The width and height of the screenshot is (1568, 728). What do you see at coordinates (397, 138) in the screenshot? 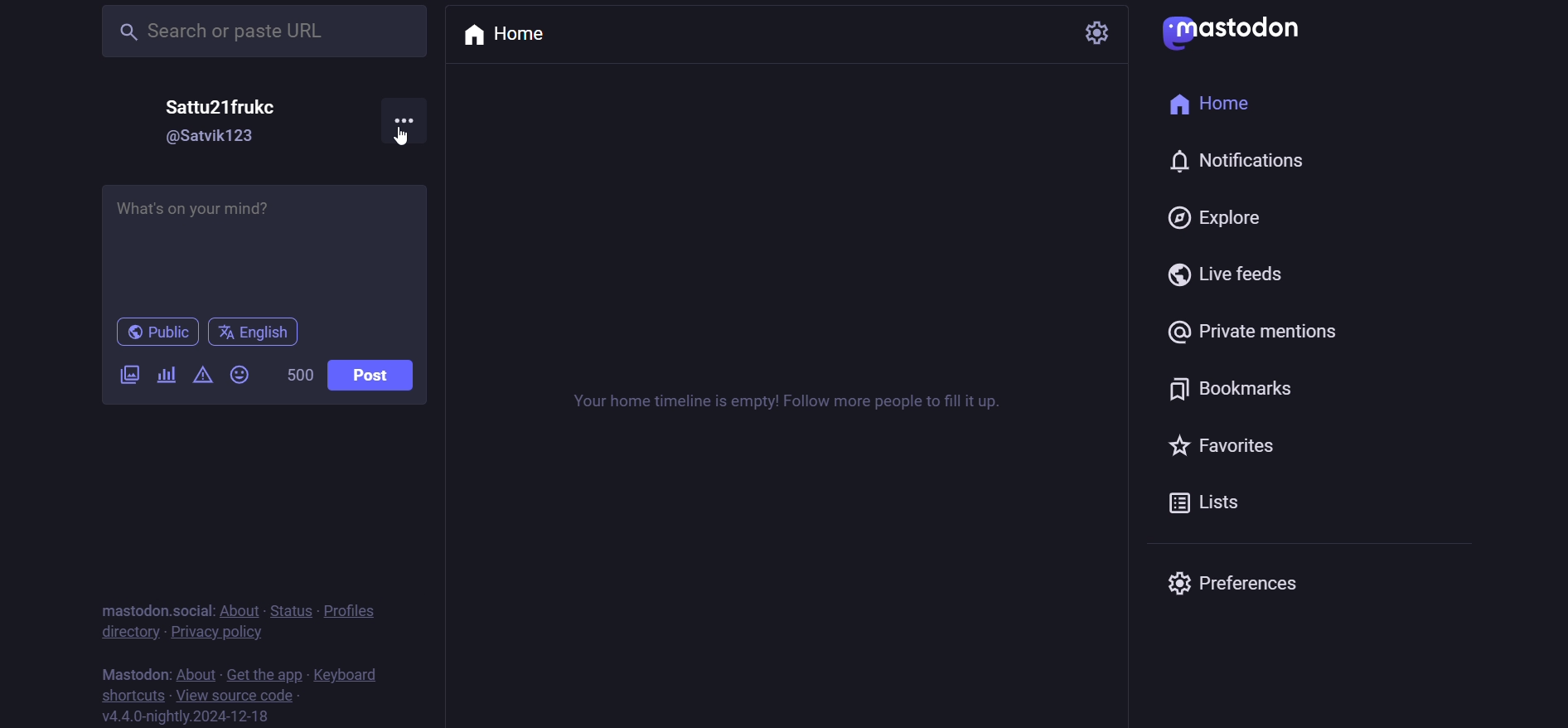
I see `cursor` at bounding box center [397, 138].